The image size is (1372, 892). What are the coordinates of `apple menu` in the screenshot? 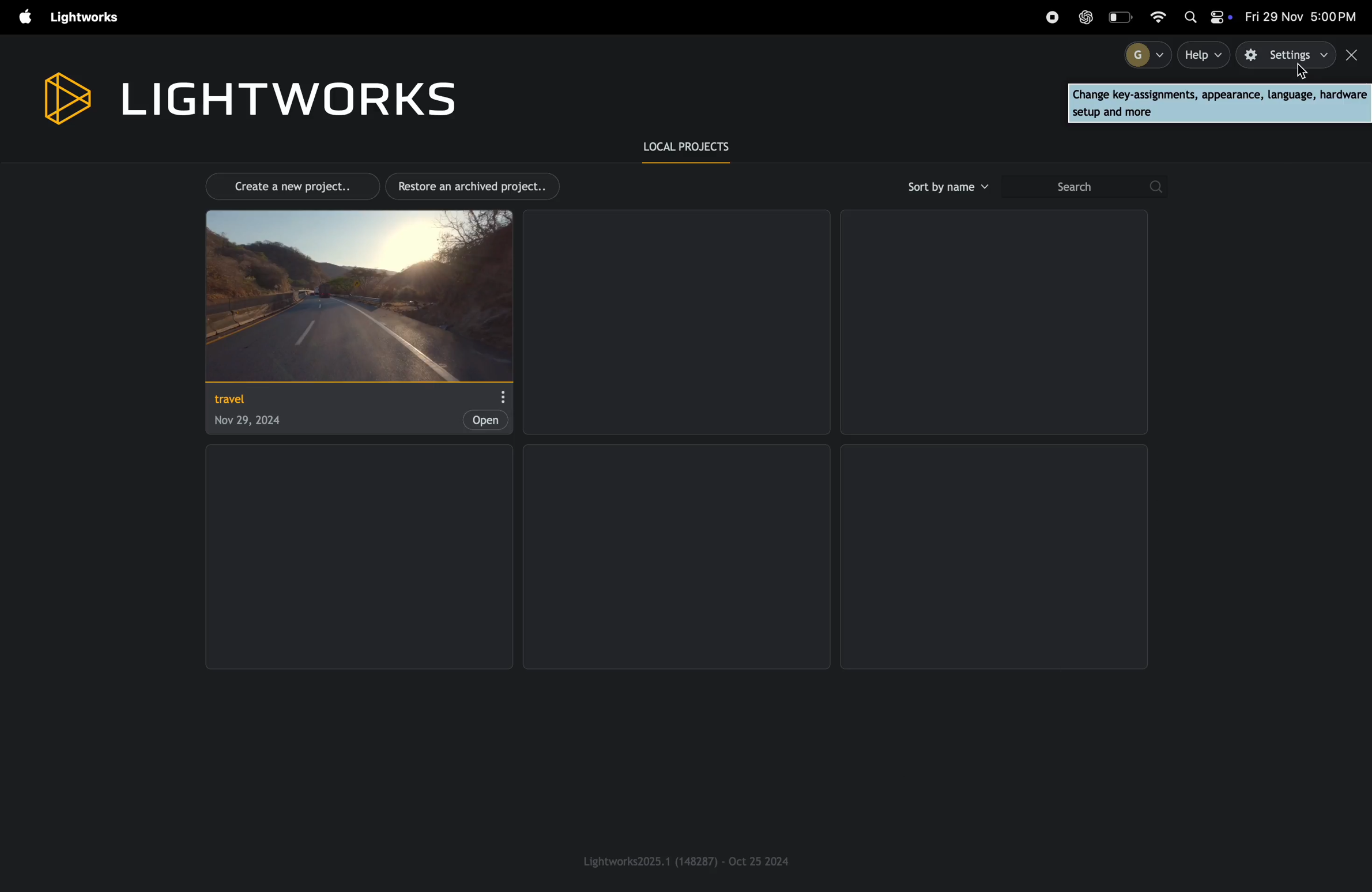 It's located at (20, 18).